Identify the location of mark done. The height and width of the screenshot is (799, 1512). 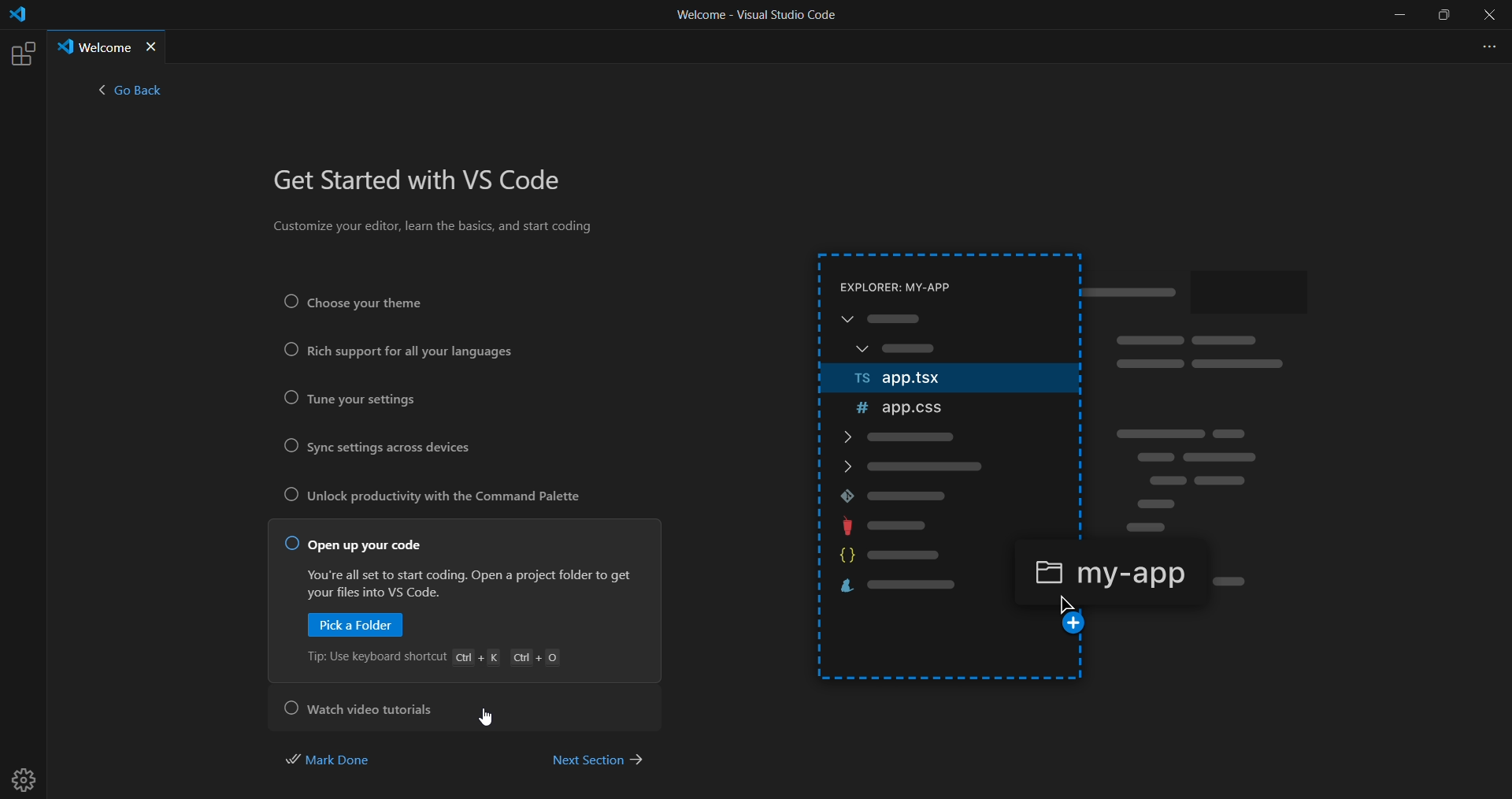
(339, 758).